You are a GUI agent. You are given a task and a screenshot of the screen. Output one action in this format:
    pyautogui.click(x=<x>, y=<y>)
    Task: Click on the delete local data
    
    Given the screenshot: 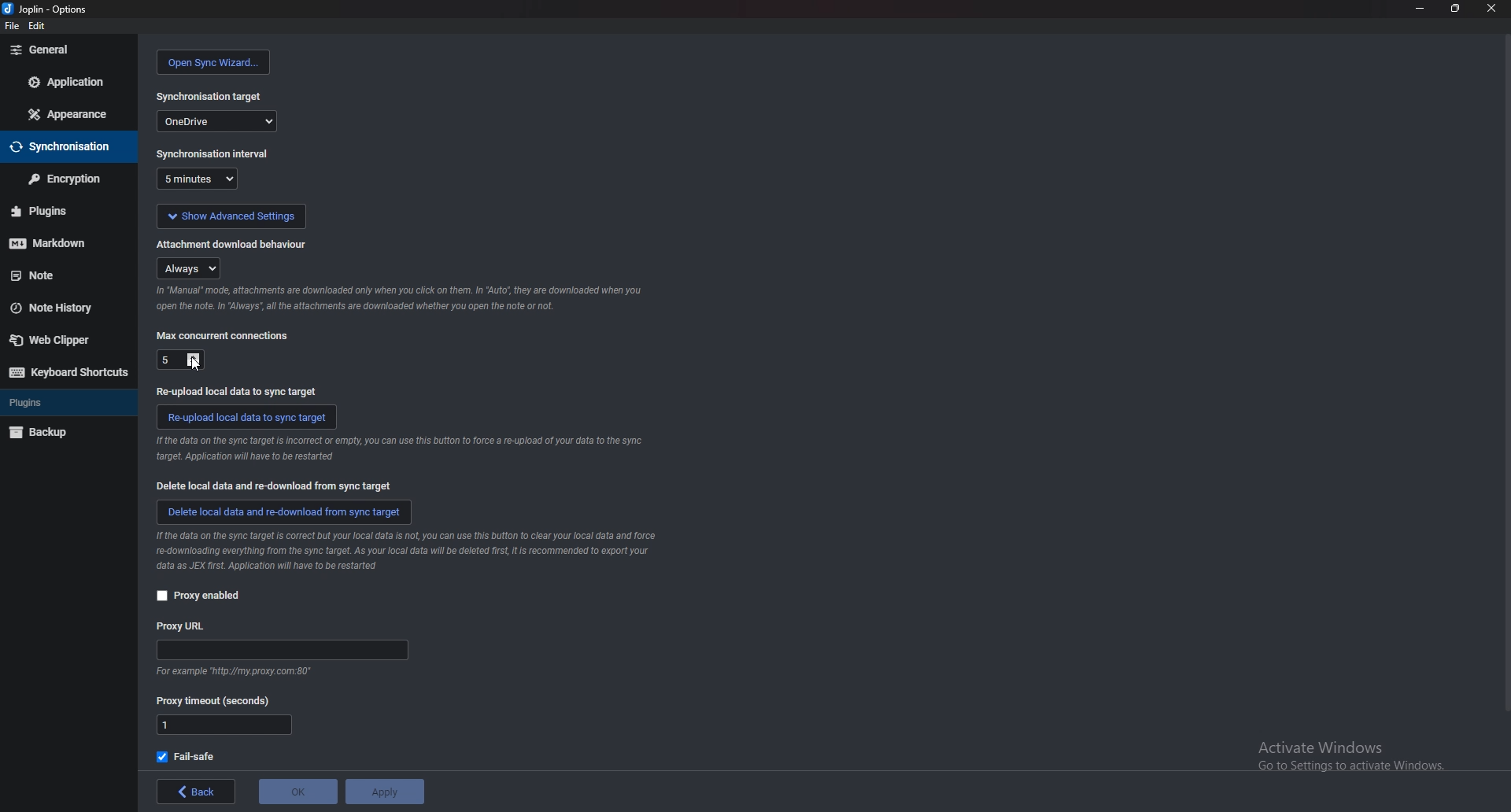 What is the action you would take?
    pyautogui.click(x=270, y=485)
    